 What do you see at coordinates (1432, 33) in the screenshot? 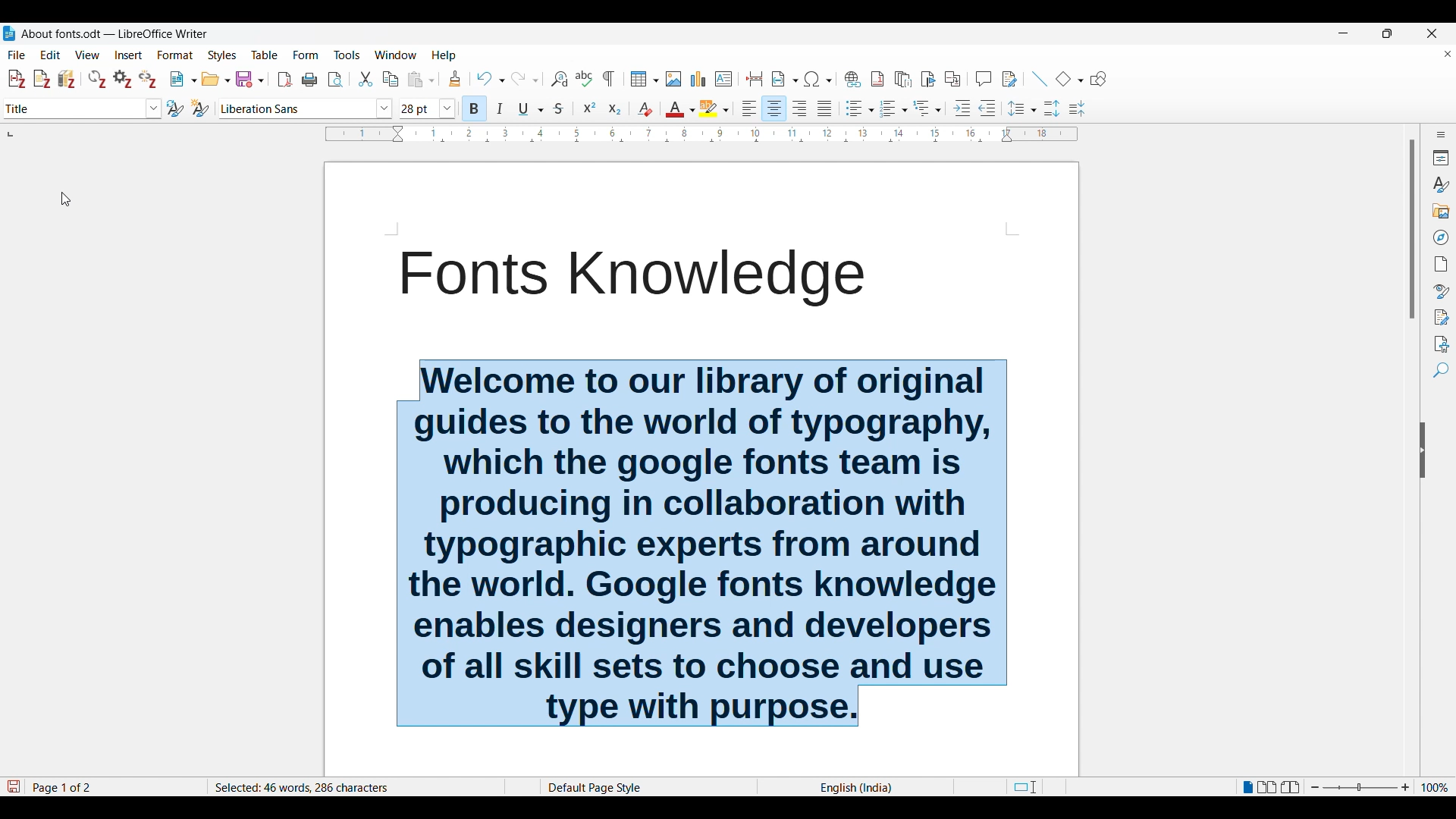
I see `Close interface` at bounding box center [1432, 33].